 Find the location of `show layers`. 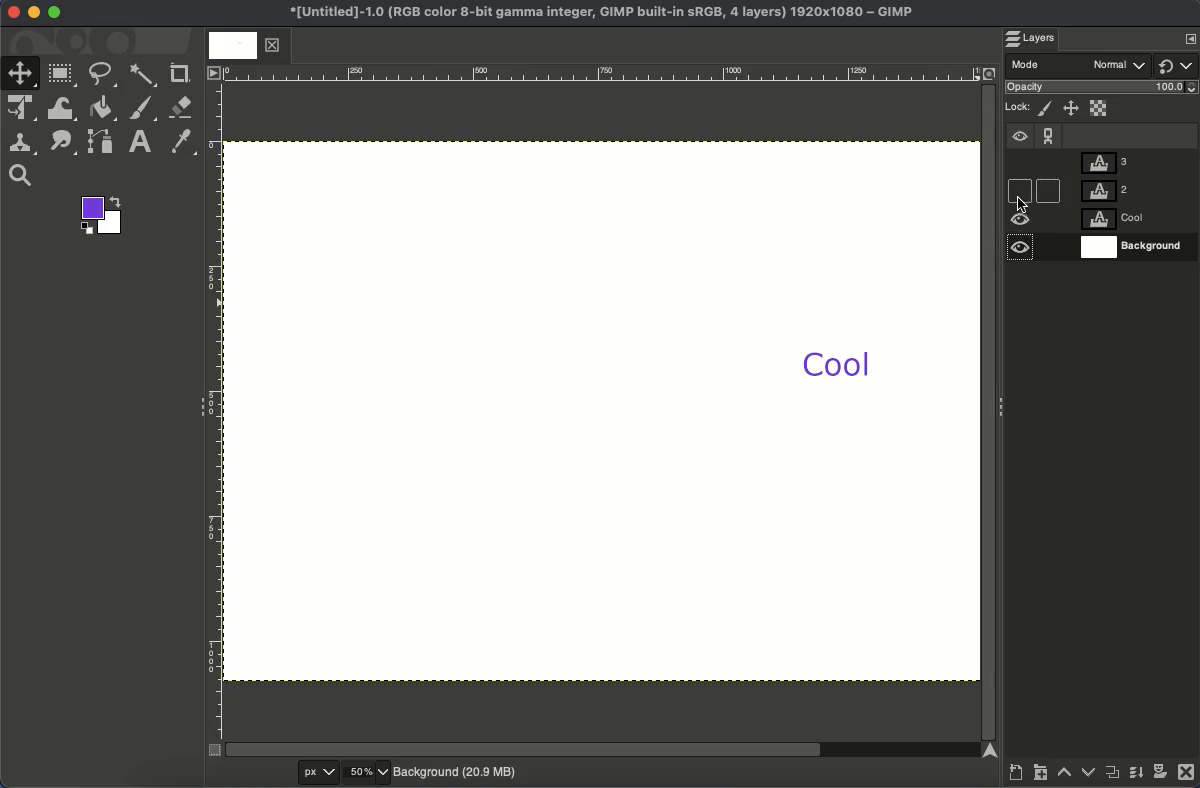

show layers is located at coordinates (1183, 37).